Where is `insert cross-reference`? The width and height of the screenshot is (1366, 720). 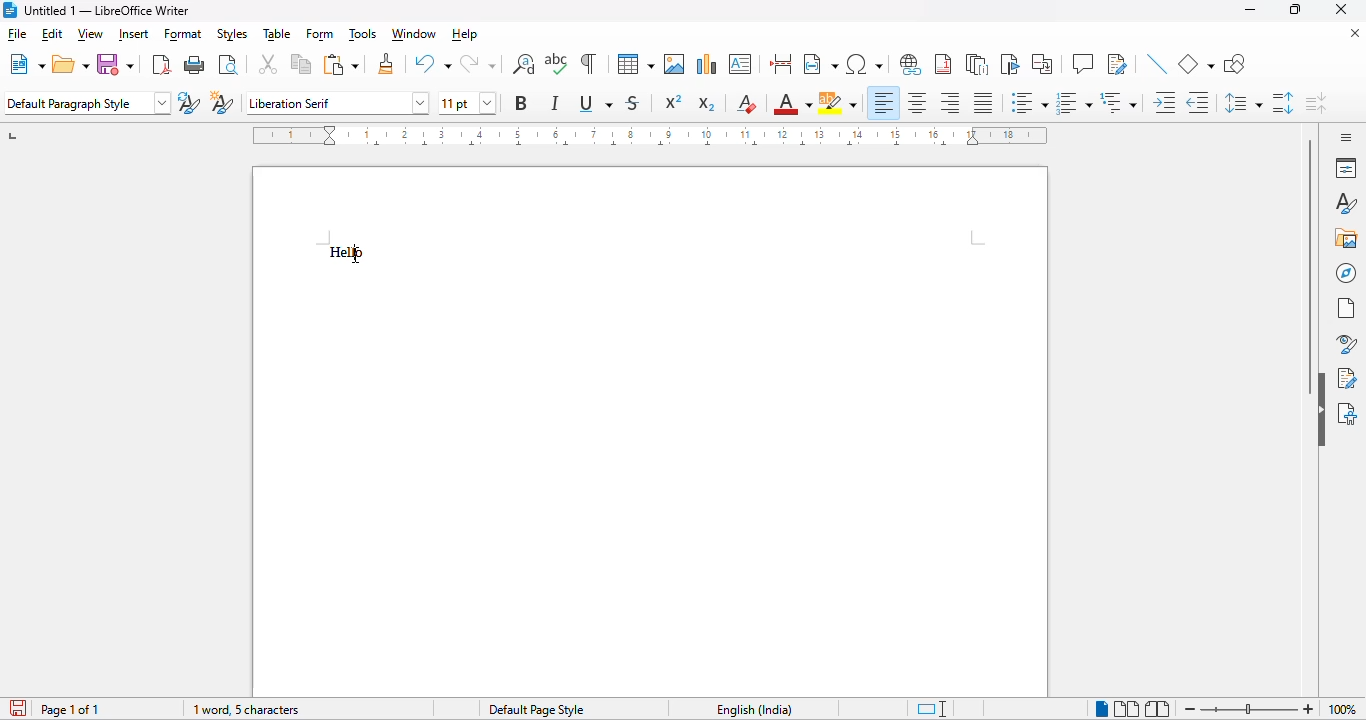 insert cross-reference is located at coordinates (1043, 64).